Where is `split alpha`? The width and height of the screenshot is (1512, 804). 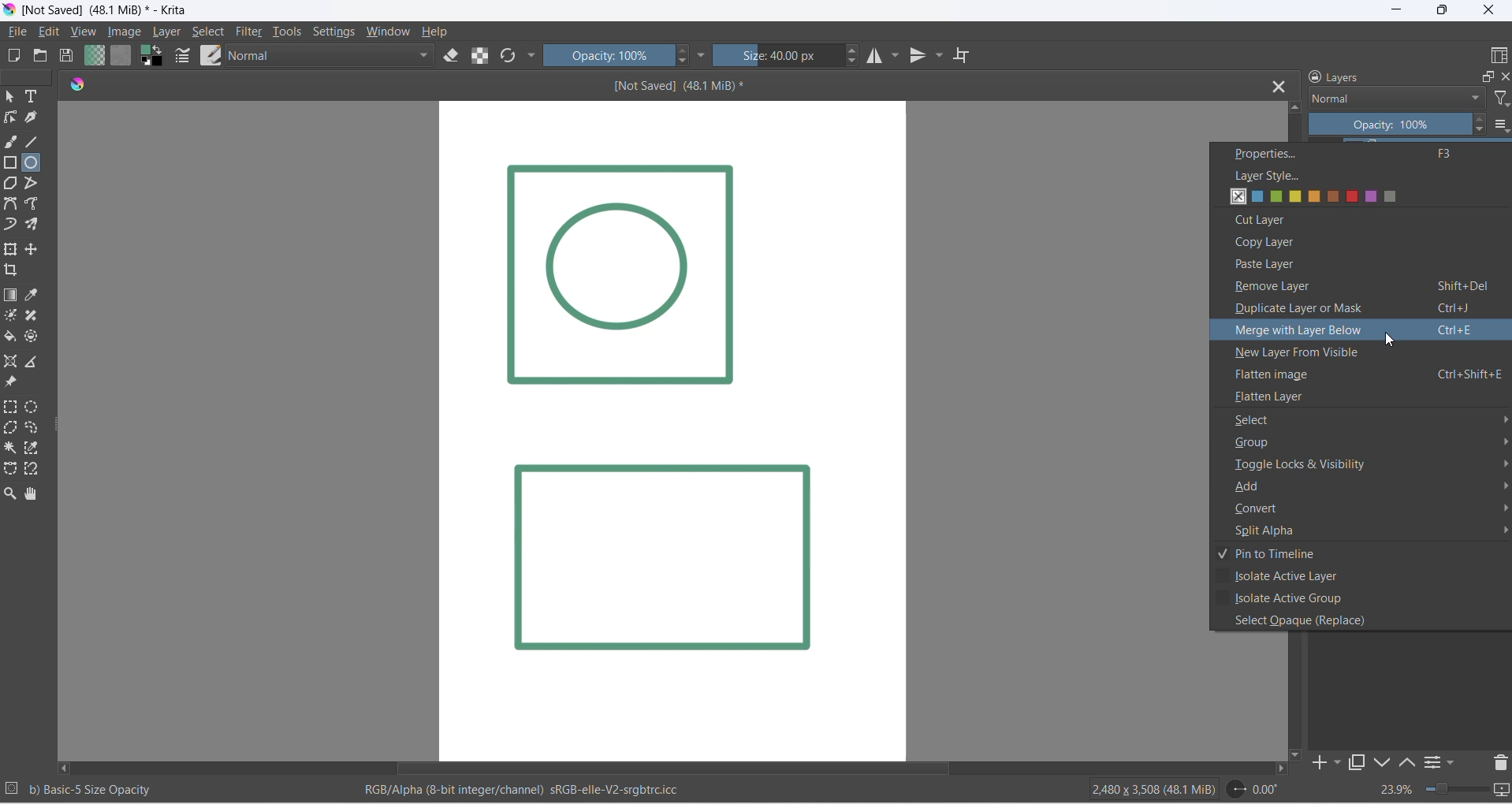 split alpha is located at coordinates (1364, 530).